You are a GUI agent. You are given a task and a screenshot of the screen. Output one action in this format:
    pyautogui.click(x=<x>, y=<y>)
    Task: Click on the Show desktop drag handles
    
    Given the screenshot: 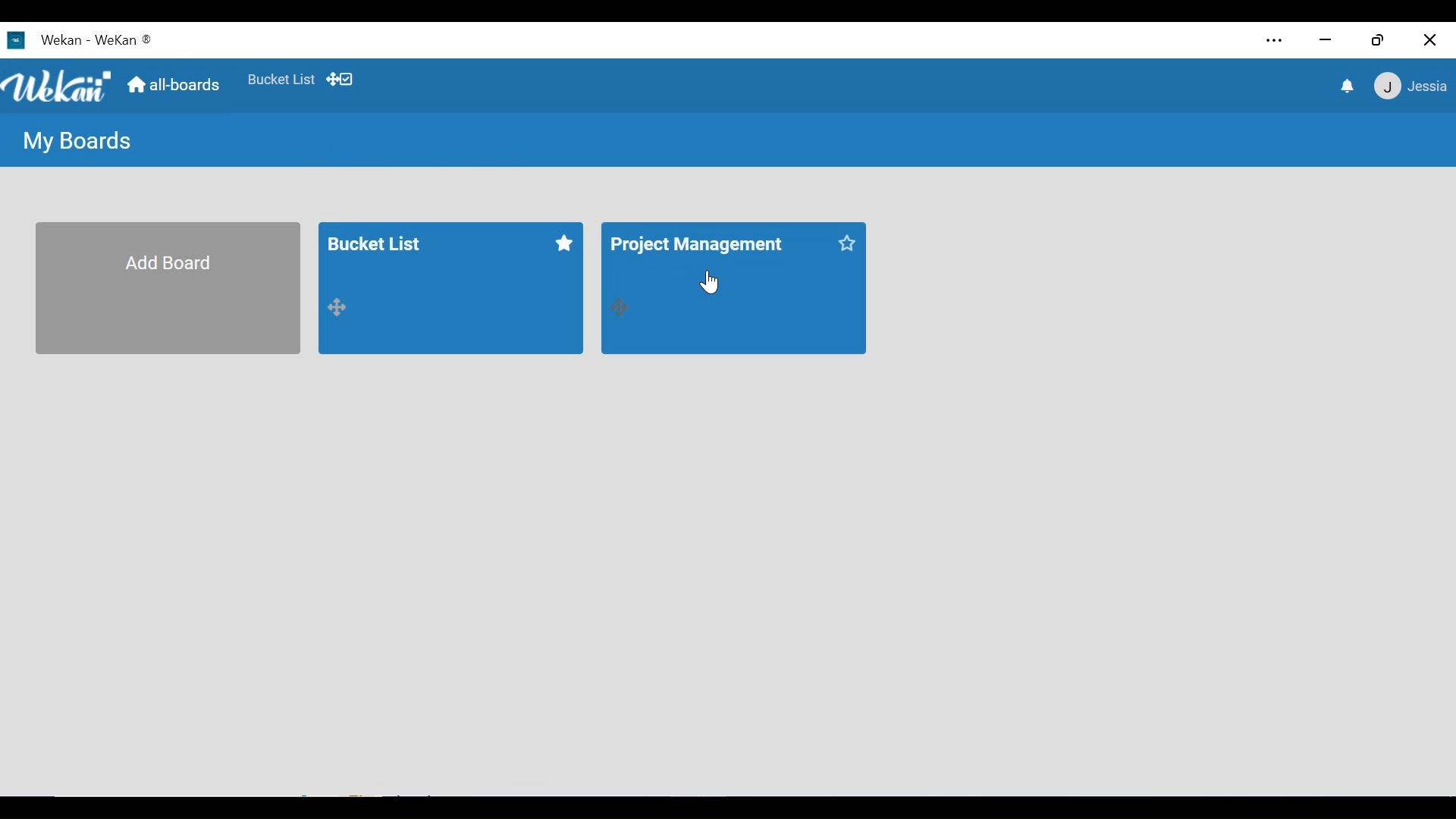 What is the action you would take?
    pyautogui.click(x=344, y=80)
    